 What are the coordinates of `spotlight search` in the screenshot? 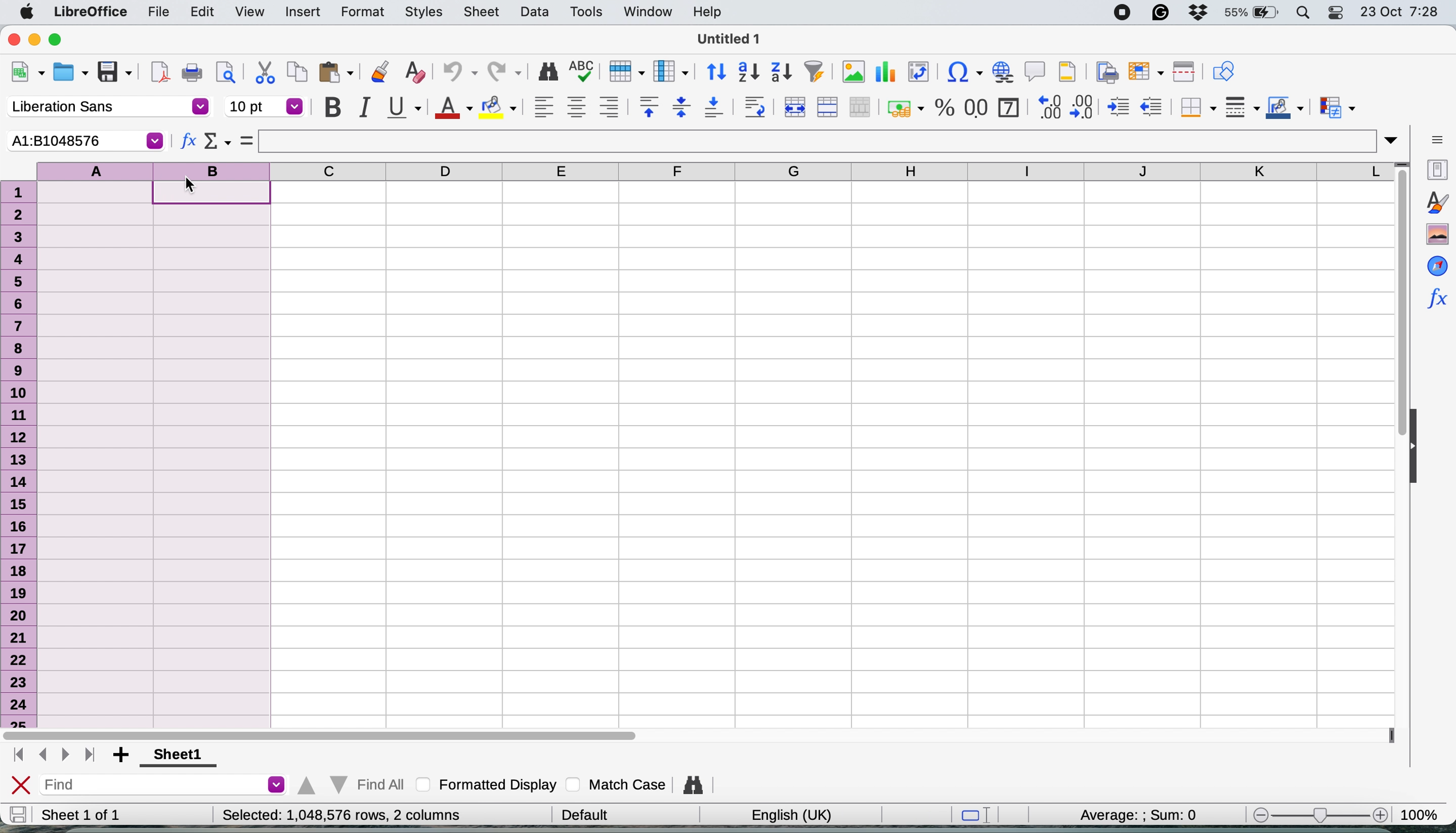 It's located at (1301, 13).